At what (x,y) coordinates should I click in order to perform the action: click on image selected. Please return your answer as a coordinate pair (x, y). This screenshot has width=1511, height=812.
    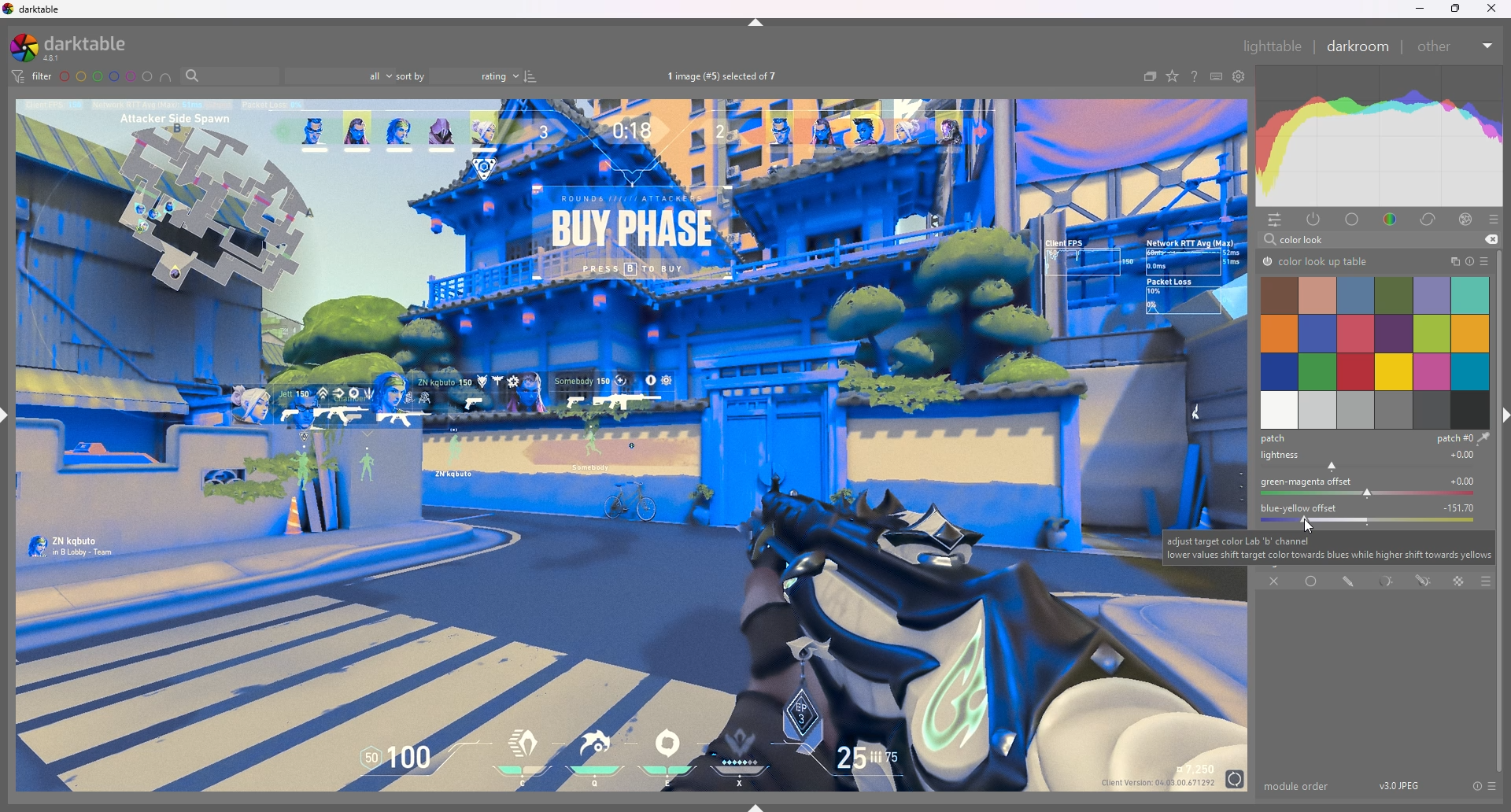
    Looking at the image, I should click on (728, 76).